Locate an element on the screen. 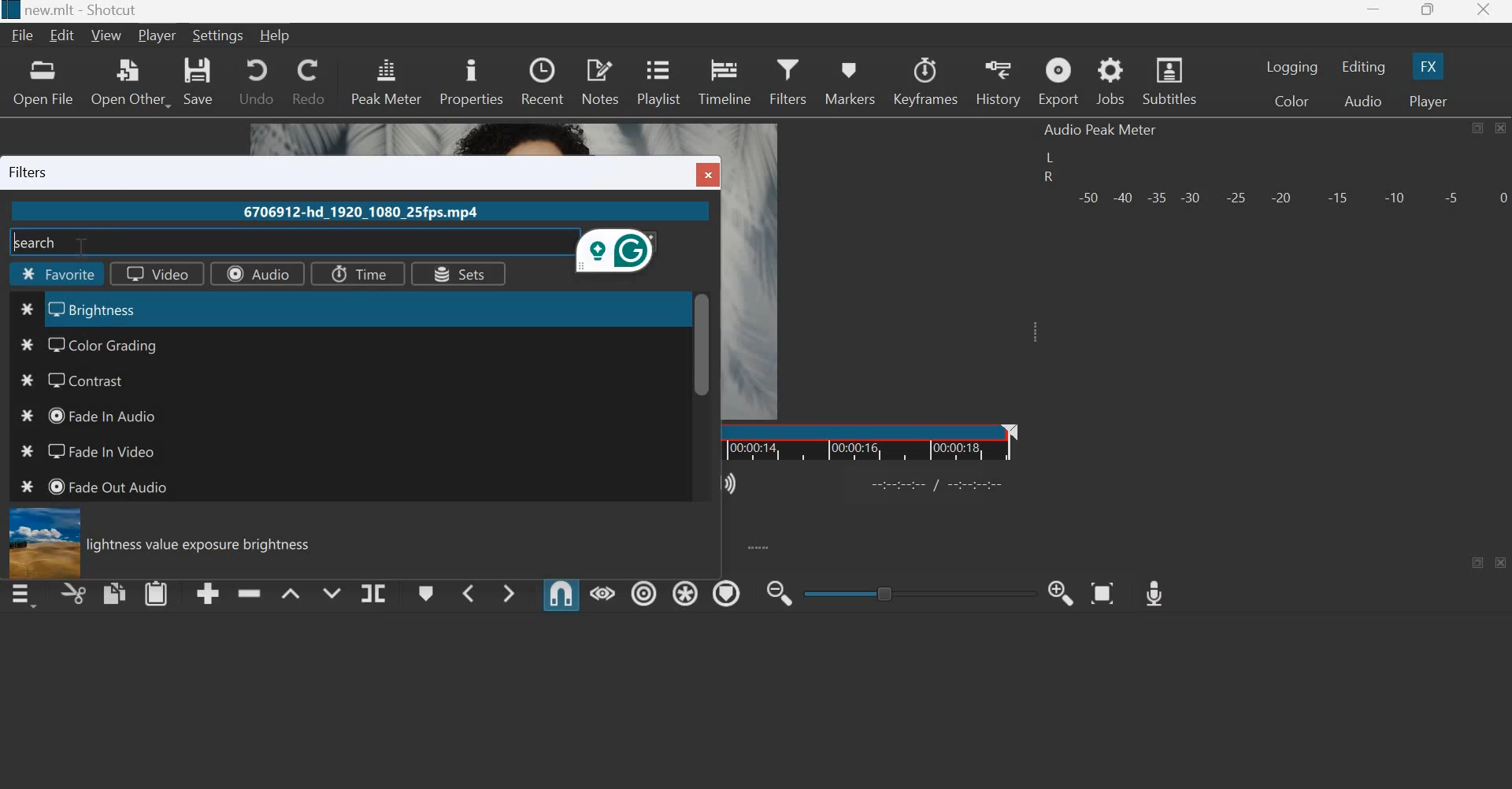   is located at coordinates (42, 543).